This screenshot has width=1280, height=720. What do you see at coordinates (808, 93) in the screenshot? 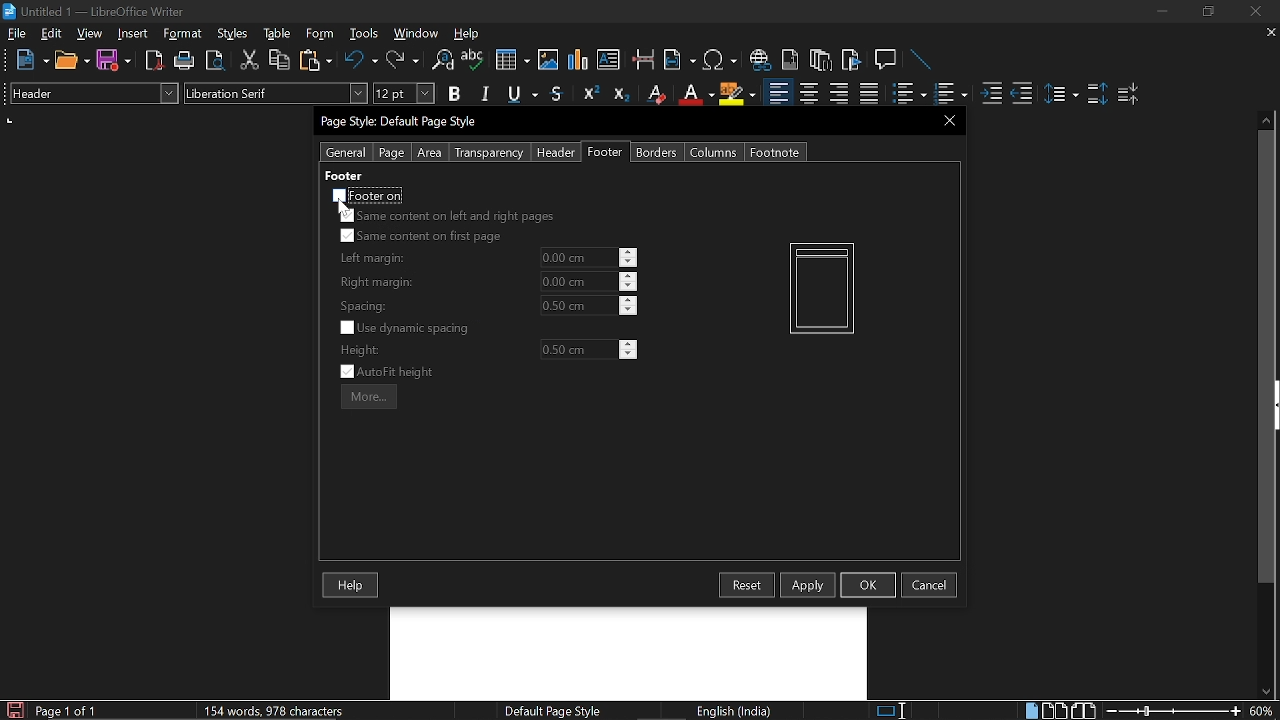
I see `Center` at bounding box center [808, 93].